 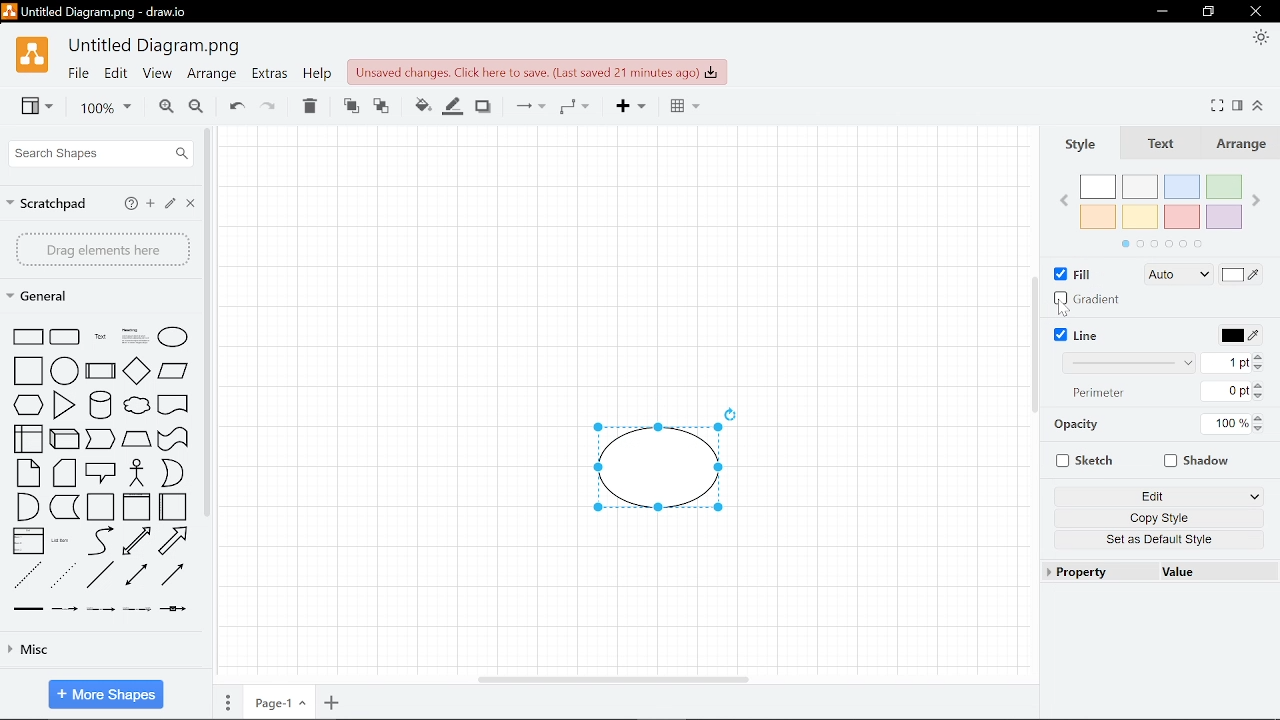 What do you see at coordinates (1260, 107) in the screenshot?
I see `Collapse` at bounding box center [1260, 107].